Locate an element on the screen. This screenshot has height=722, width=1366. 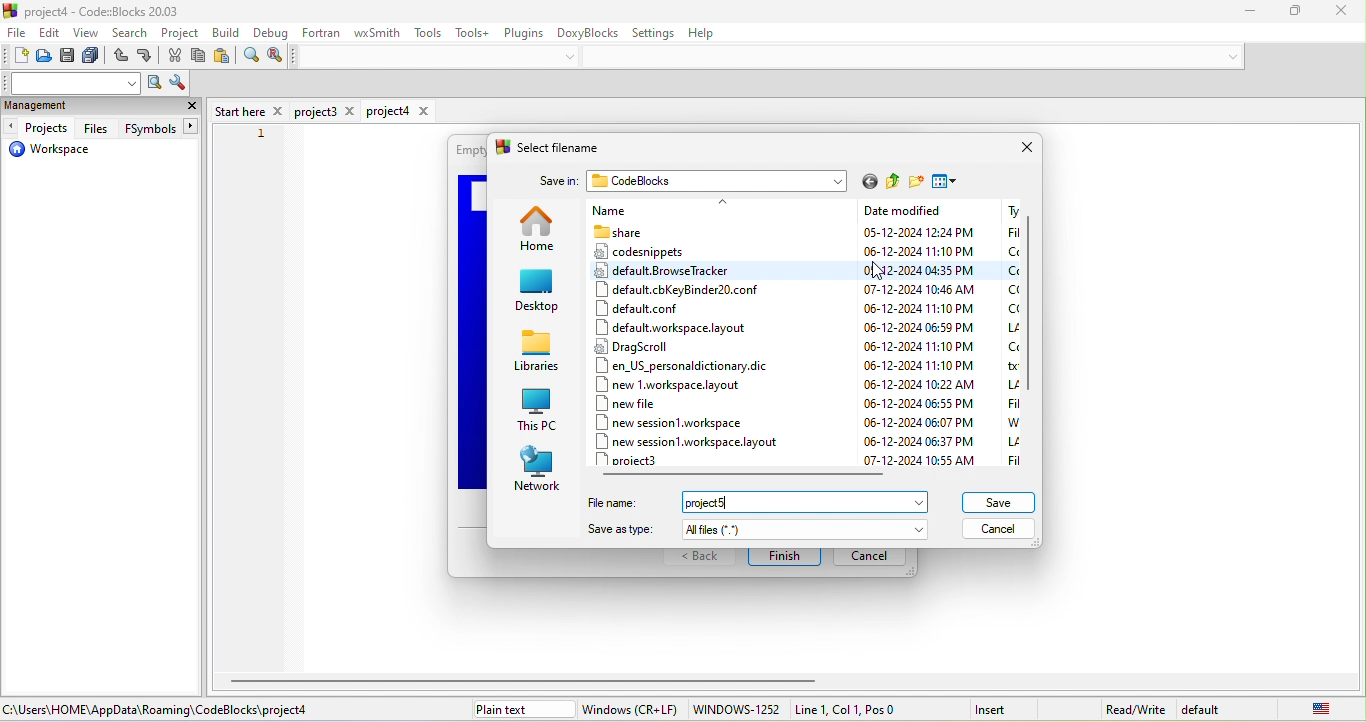
horizontal scroll bar is located at coordinates (529, 680).